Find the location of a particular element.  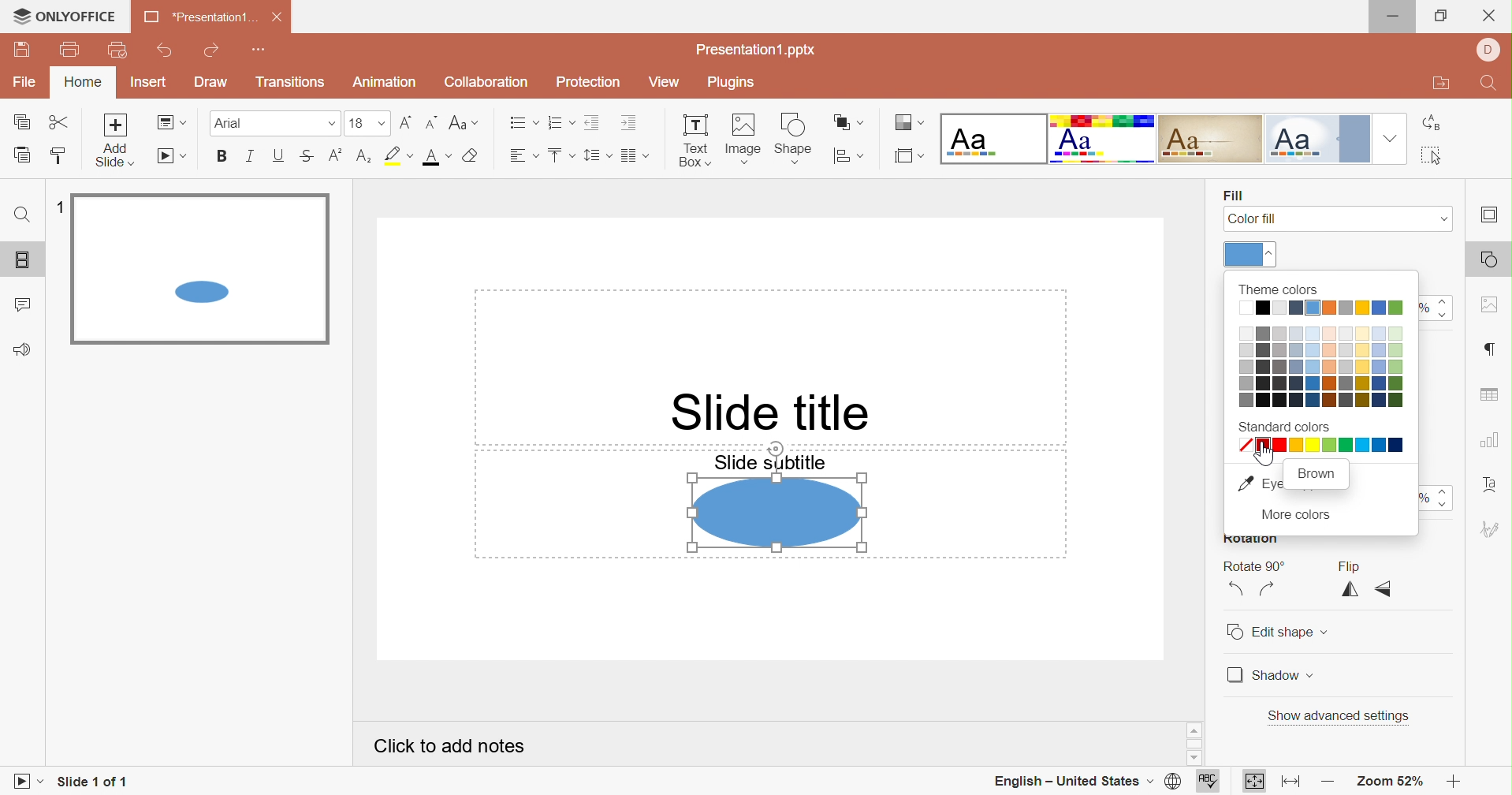

Slide 1 of 1 is located at coordinates (91, 780).